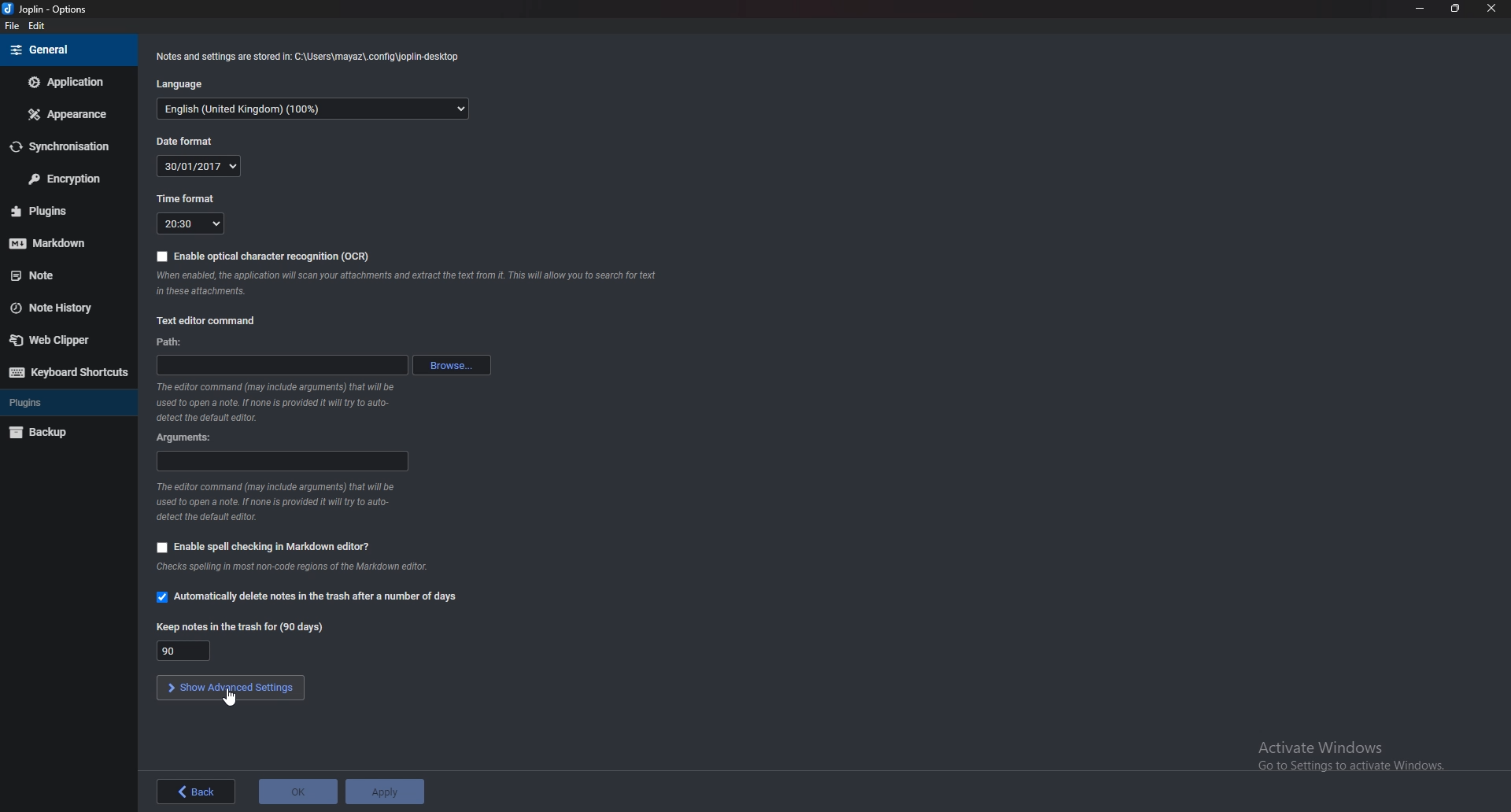 This screenshot has height=812, width=1511. Describe the element at coordinates (50, 10) in the screenshot. I see `joplin - options` at that location.